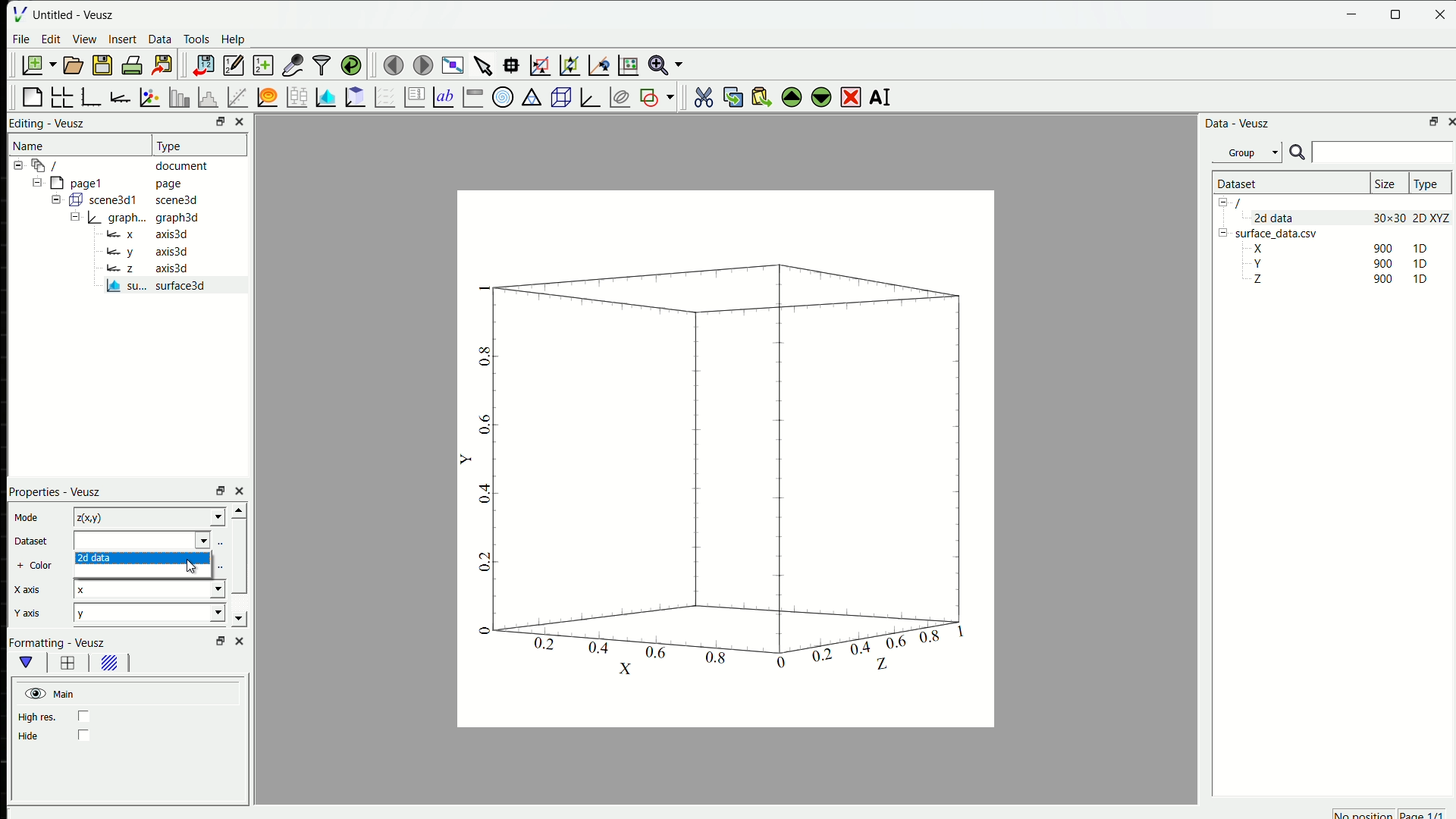 This screenshot has width=1456, height=819. I want to click on Edit, so click(52, 39).